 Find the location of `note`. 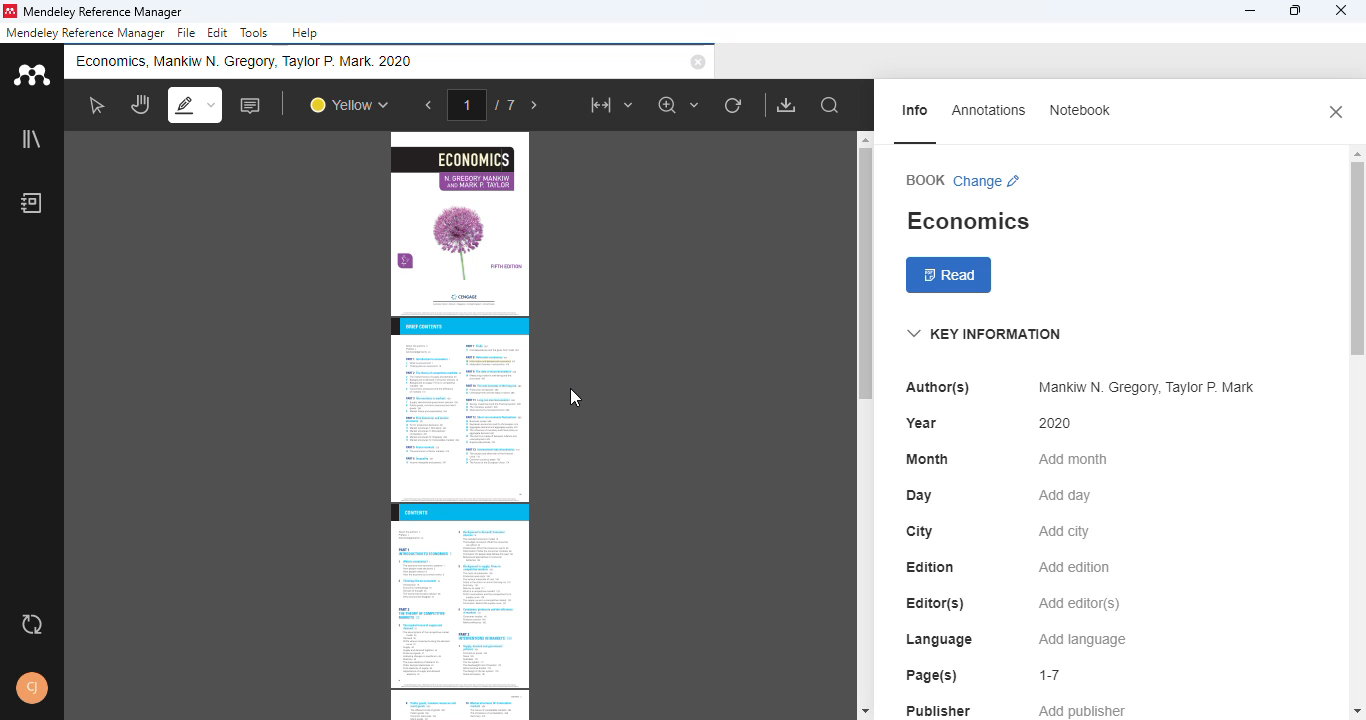

note is located at coordinates (252, 105).